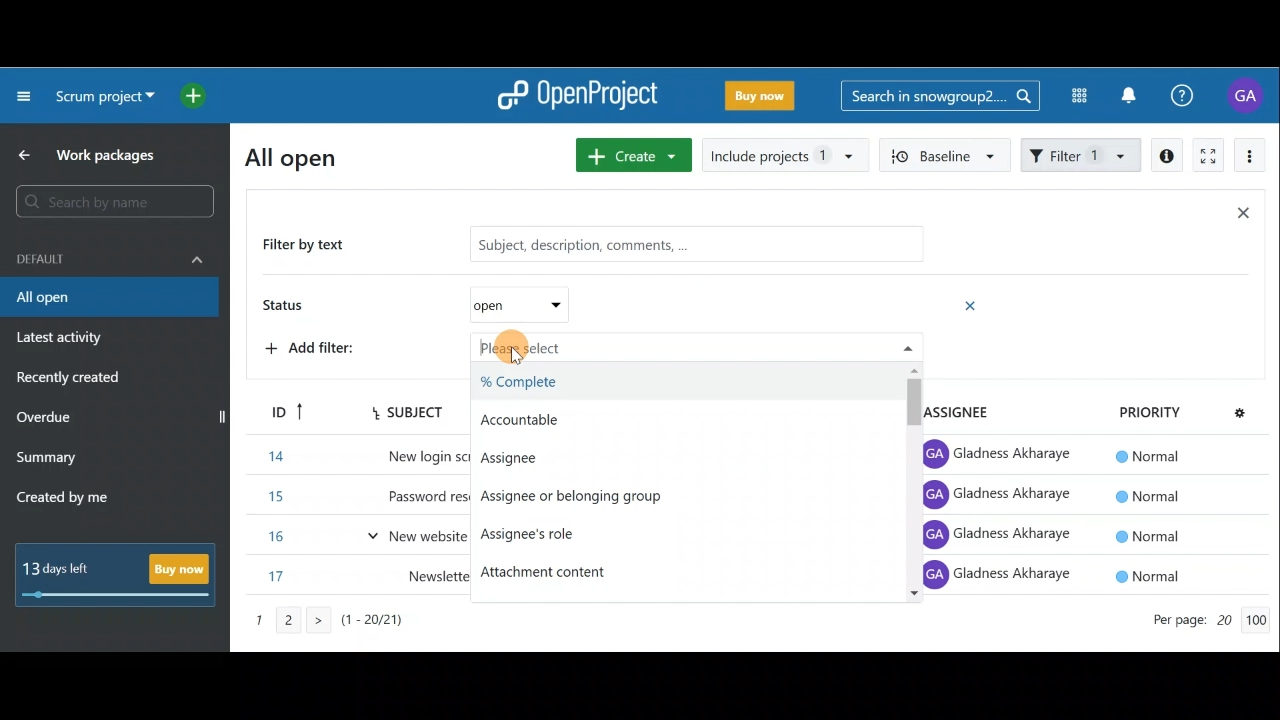 Image resolution: width=1280 pixels, height=720 pixels. I want to click on Close, so click(1242, 217).